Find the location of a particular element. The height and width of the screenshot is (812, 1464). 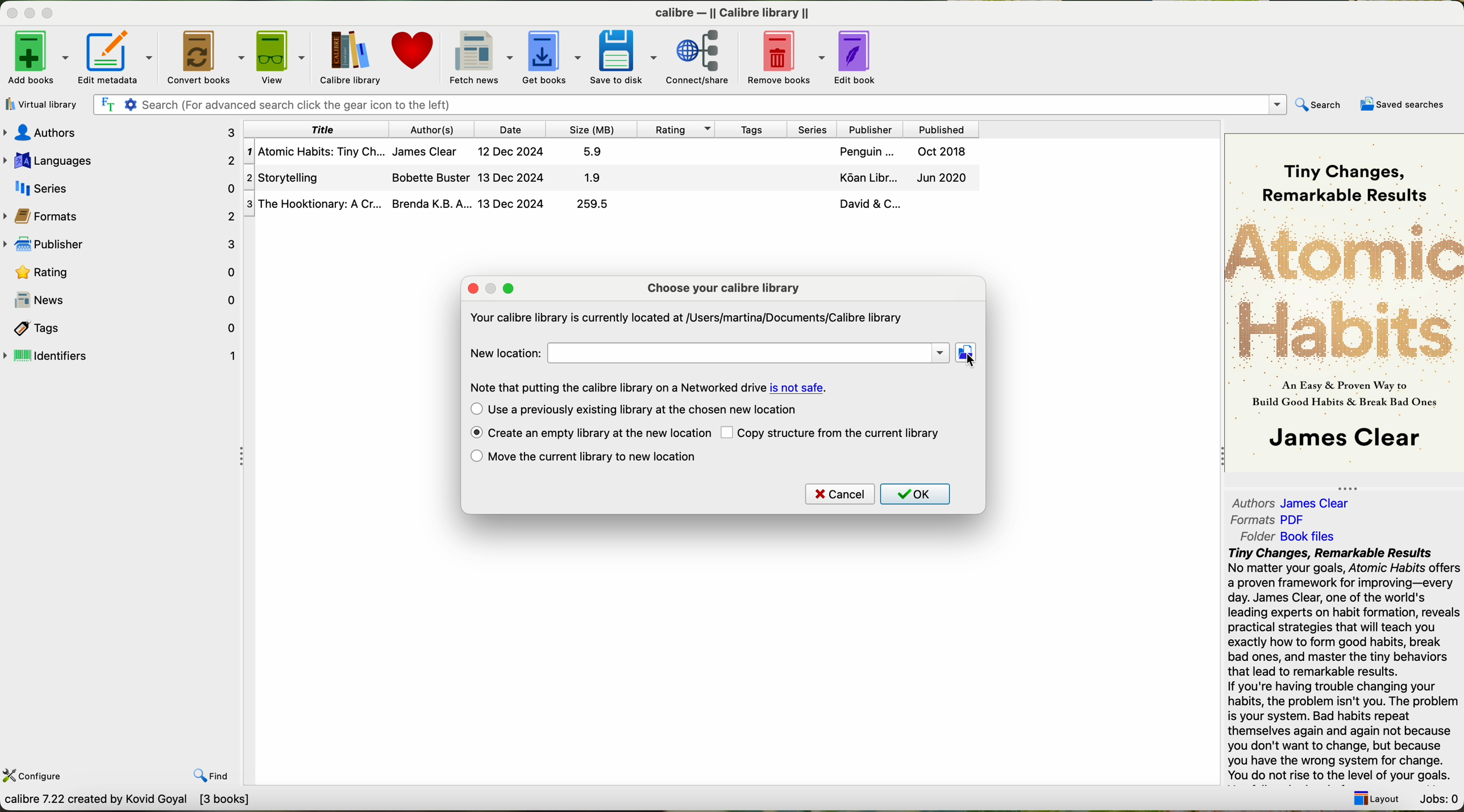

cancel button is located at coordinates (839, 494).